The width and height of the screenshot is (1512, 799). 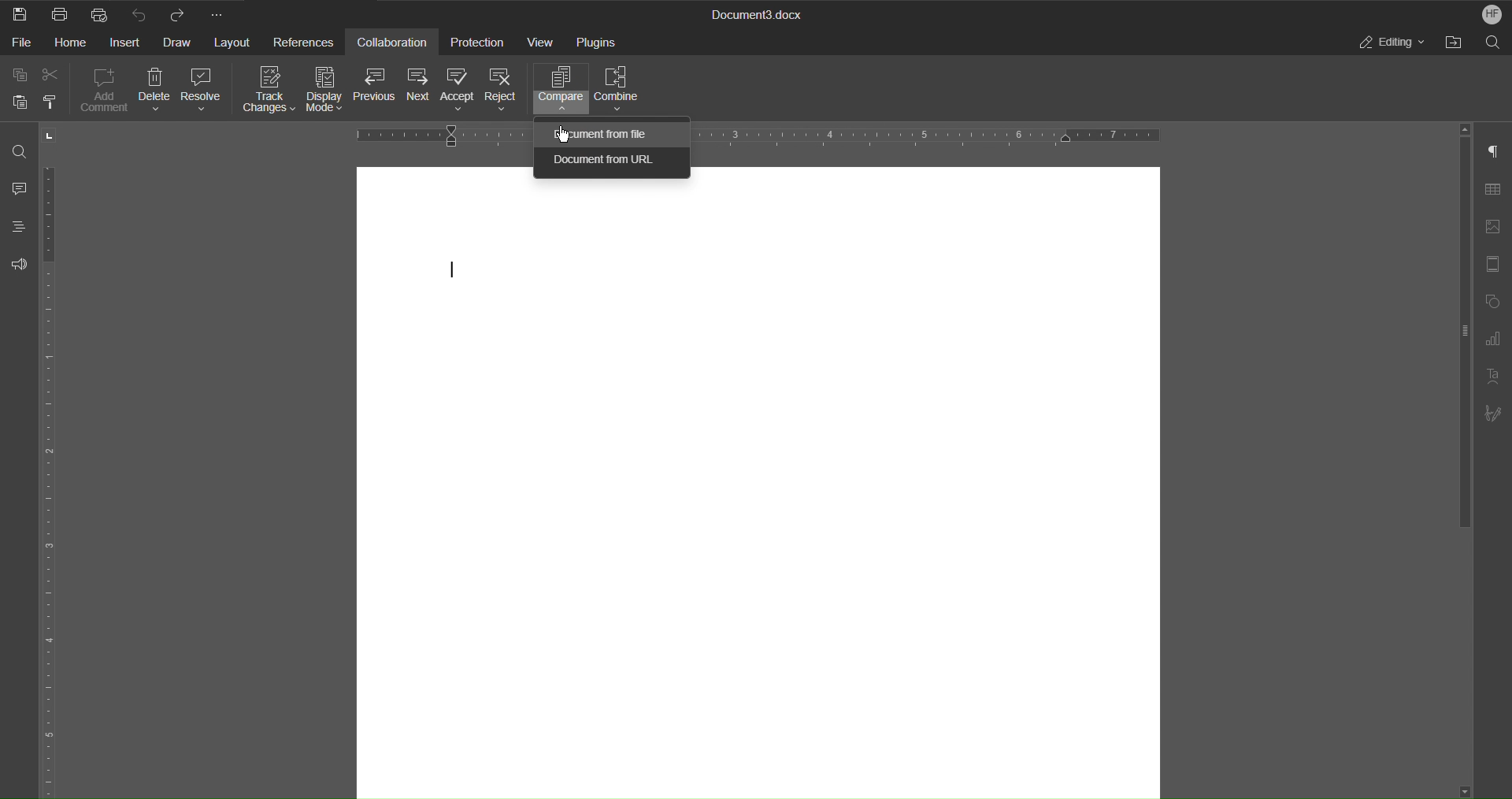 What do you see at coordinates (376, 87) in the screenshot?
I see `Previous ` at bounding box center [376, 87].